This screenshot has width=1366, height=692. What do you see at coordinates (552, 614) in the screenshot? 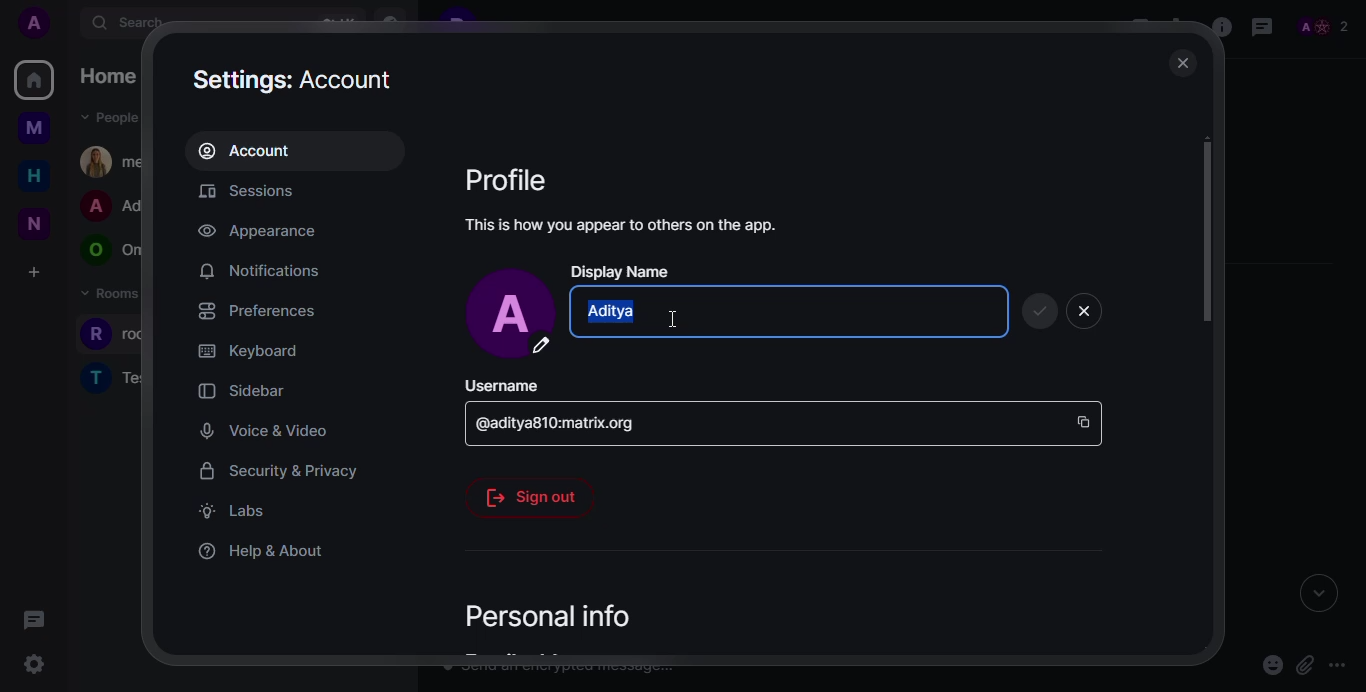
I see `personal info` at bounding box center [552, 614].